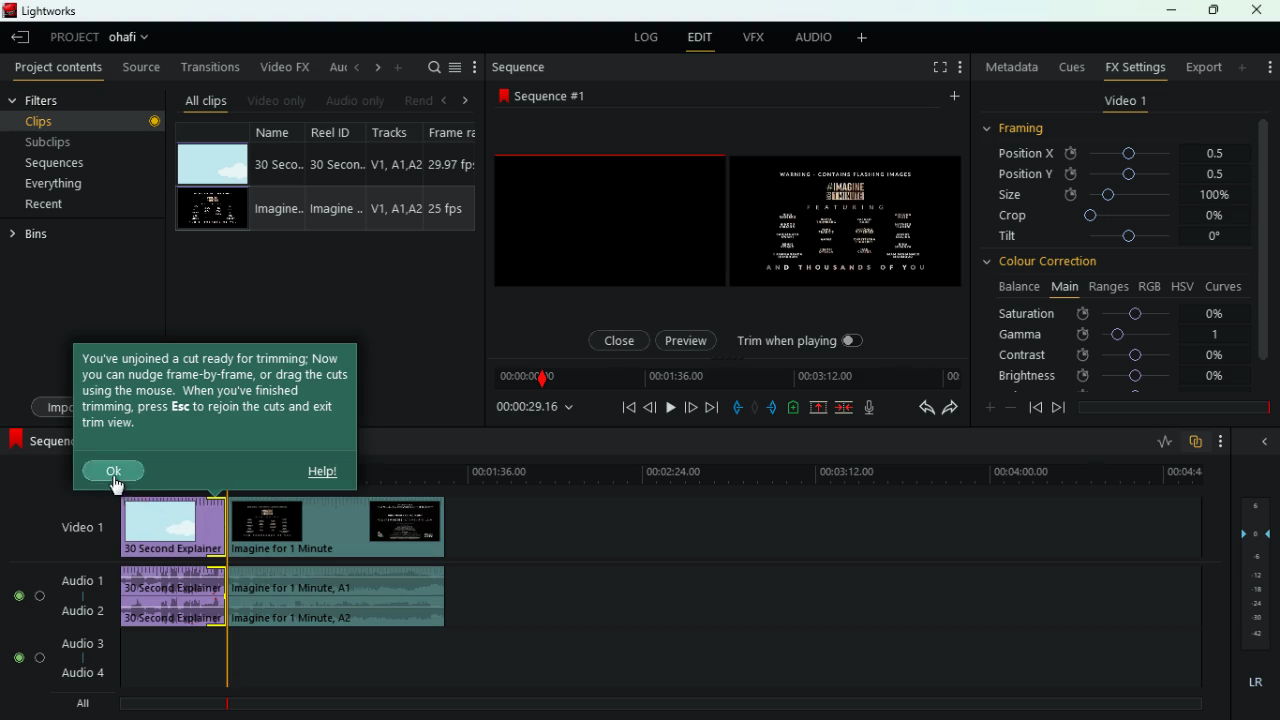 The width and height of the screenshot is (1280, 720). I want to click on up, so click(819, 409).